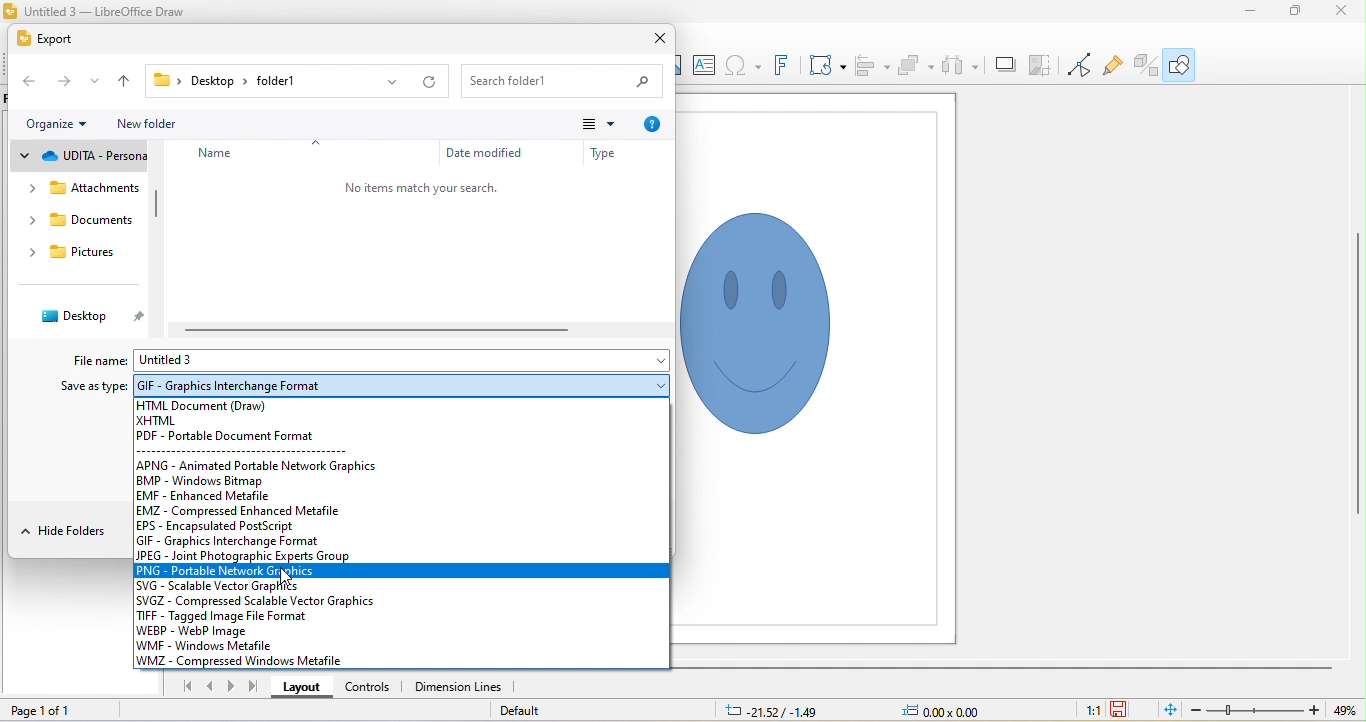 The image size is (1366, 722). I want to click on drop down, so click(35, 222).